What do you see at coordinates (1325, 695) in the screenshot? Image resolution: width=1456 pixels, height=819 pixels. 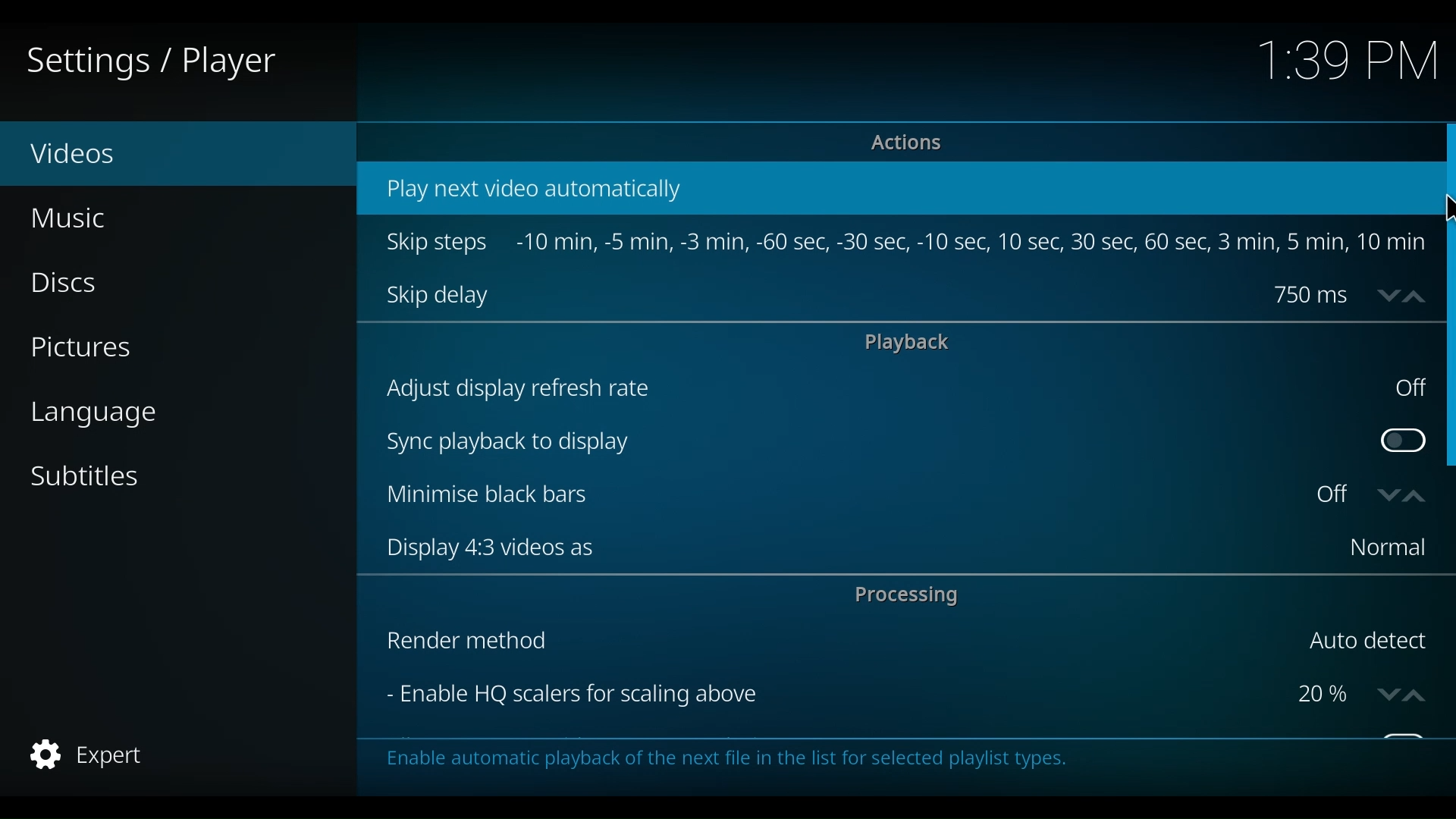 I see `Percentage scalers` at bounding box center [1325, 695].